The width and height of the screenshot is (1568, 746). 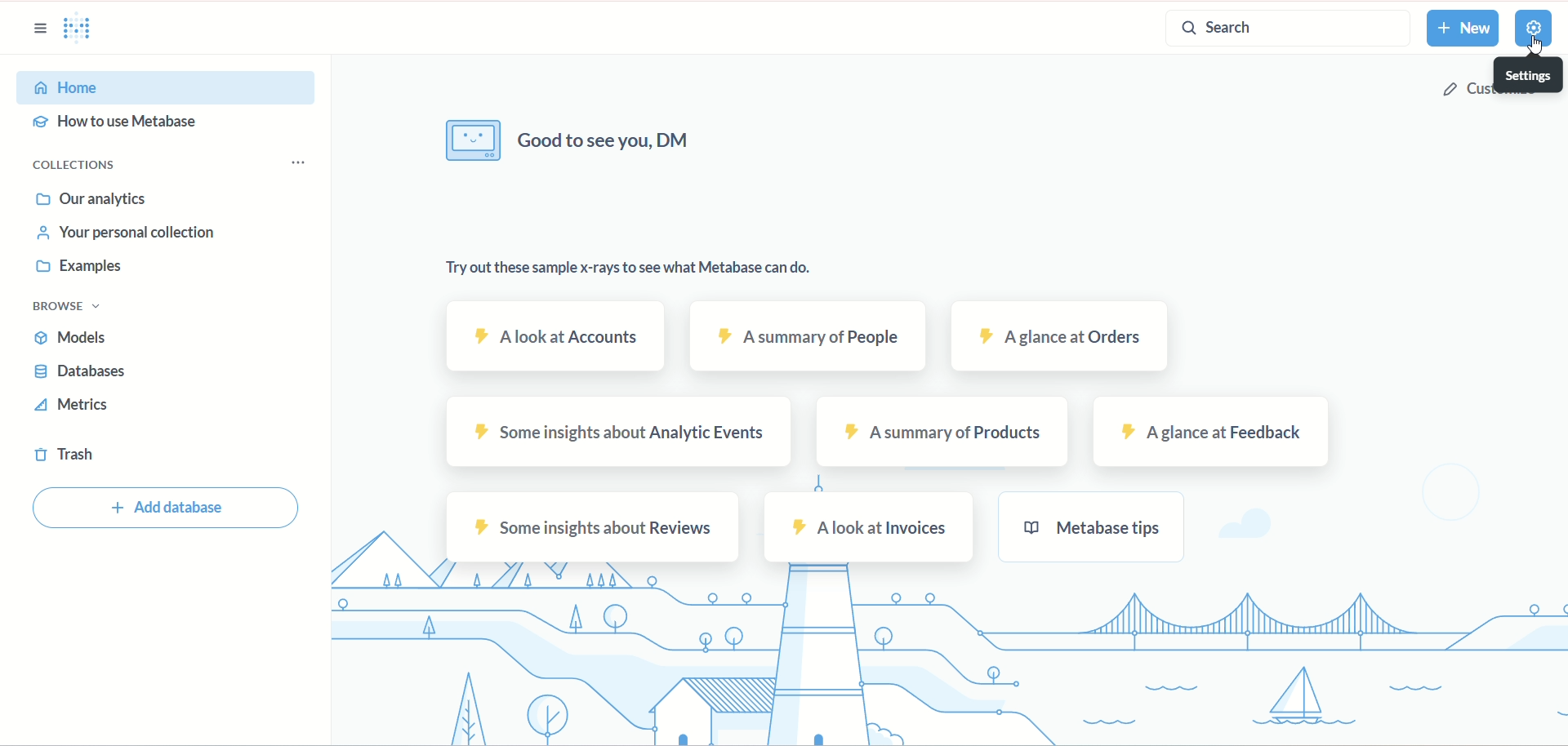 I want to click on text, so click(x=589, y=144).